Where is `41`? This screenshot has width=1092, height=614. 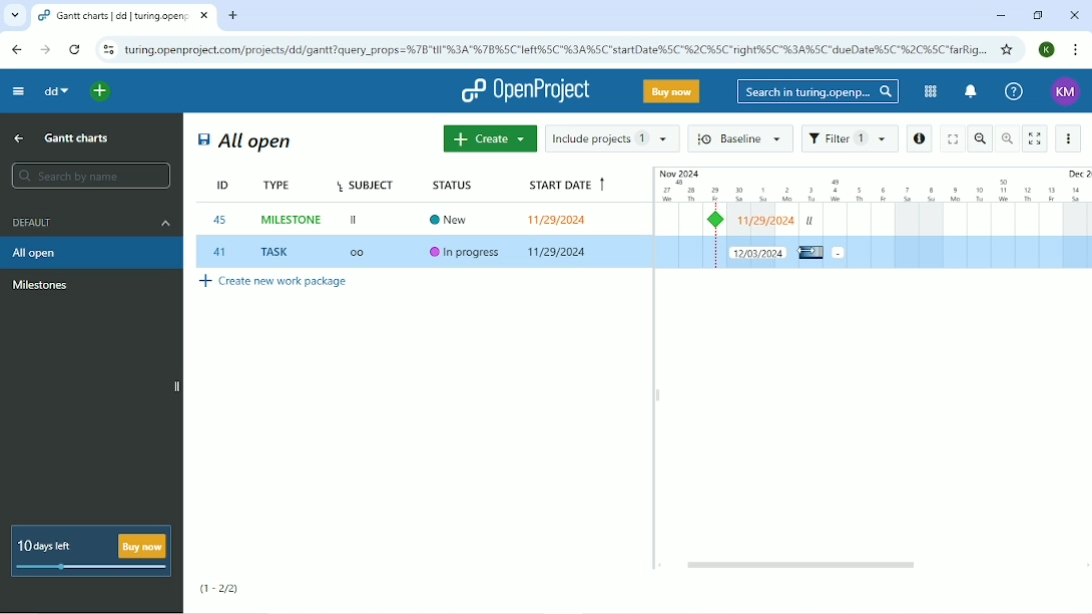 41 is located at coordinates (220, 252).